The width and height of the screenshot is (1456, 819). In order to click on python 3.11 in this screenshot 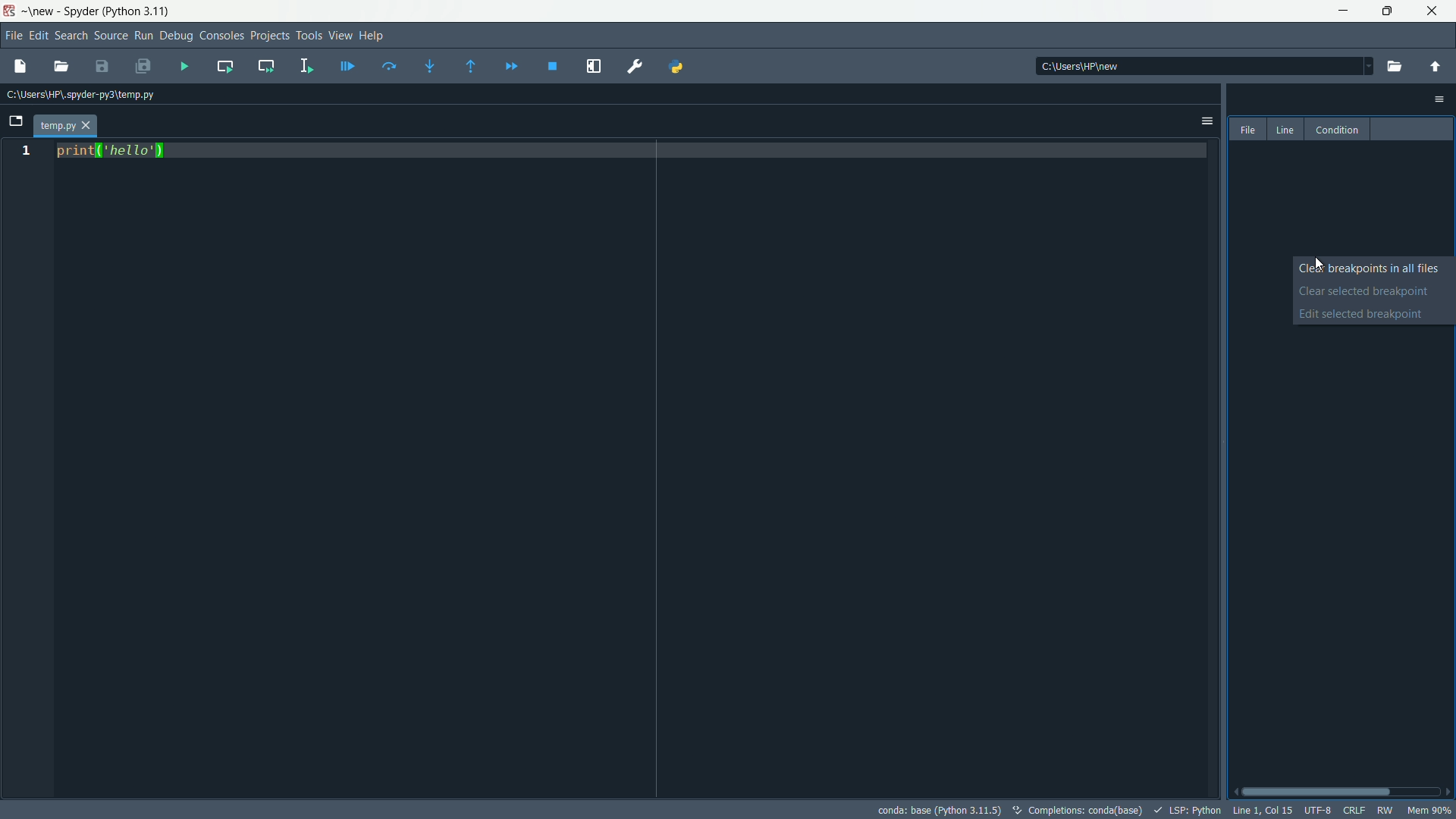, I will do `click(139, 11)`.